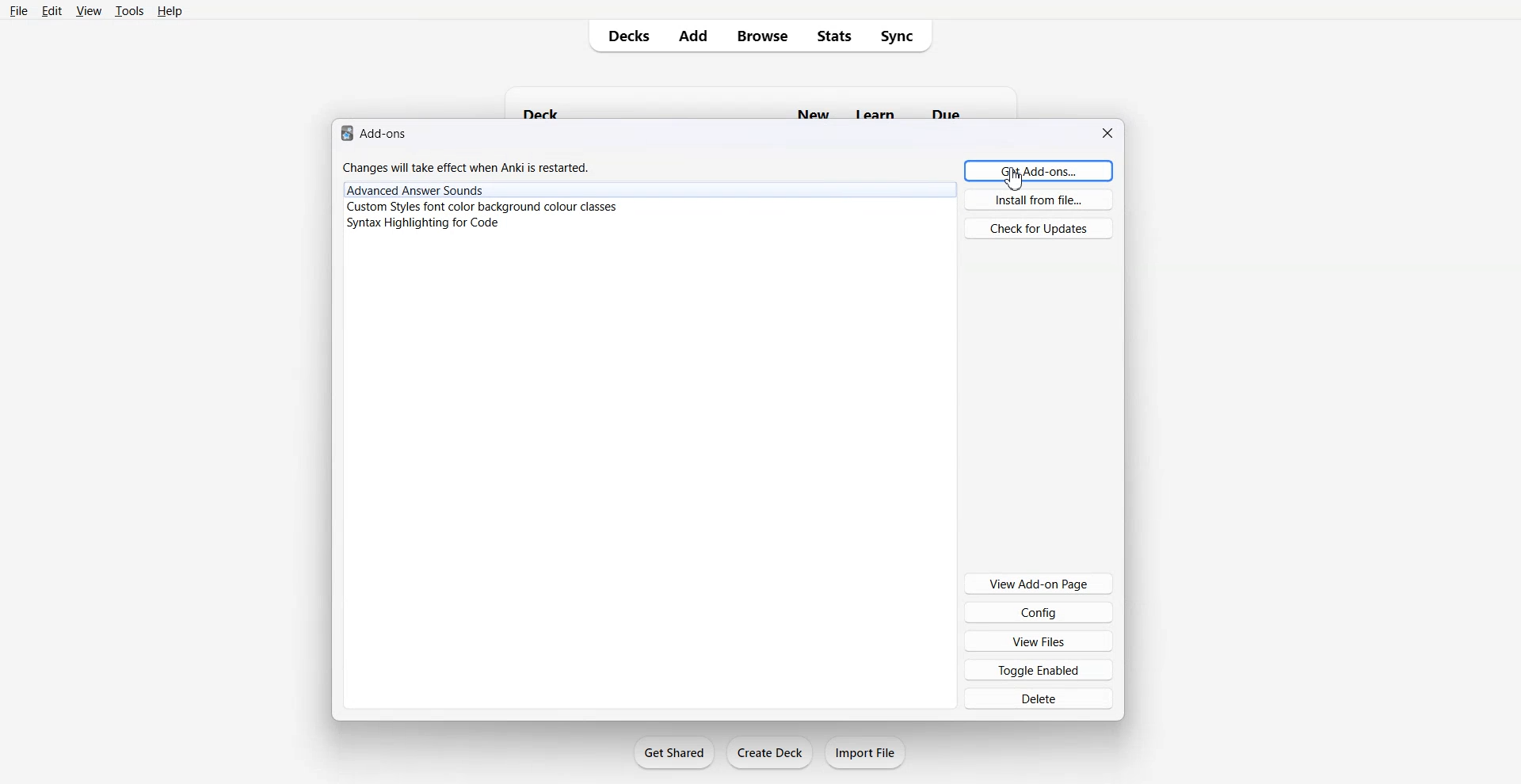 The width and height of the screenshot is (1521, 784). Describe the element at coordinates (1039, 698) in the screenshot. I see `Delete` at that location.